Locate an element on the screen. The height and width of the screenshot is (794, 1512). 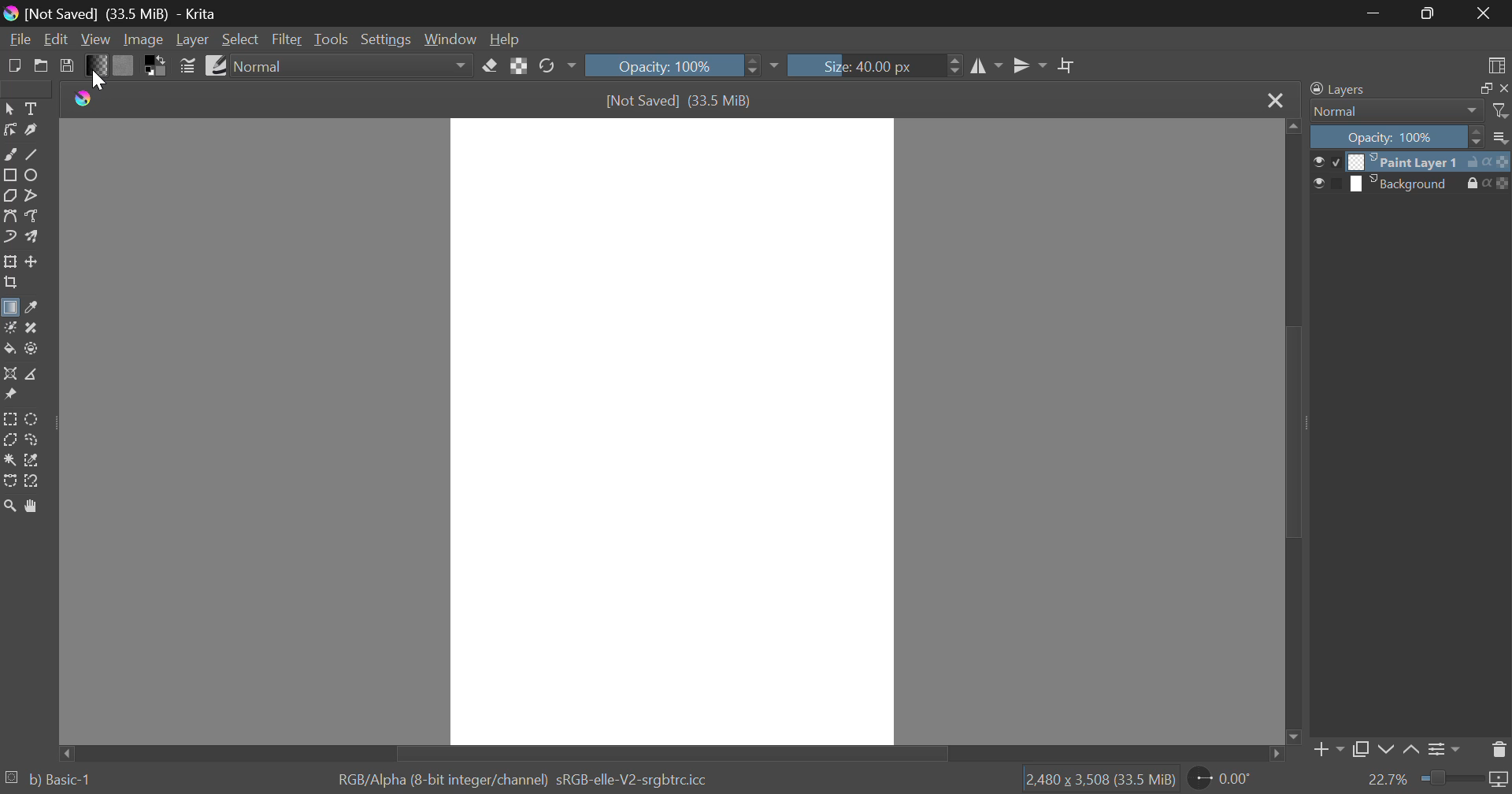
Rectangle is located at coordinates (9, 175).